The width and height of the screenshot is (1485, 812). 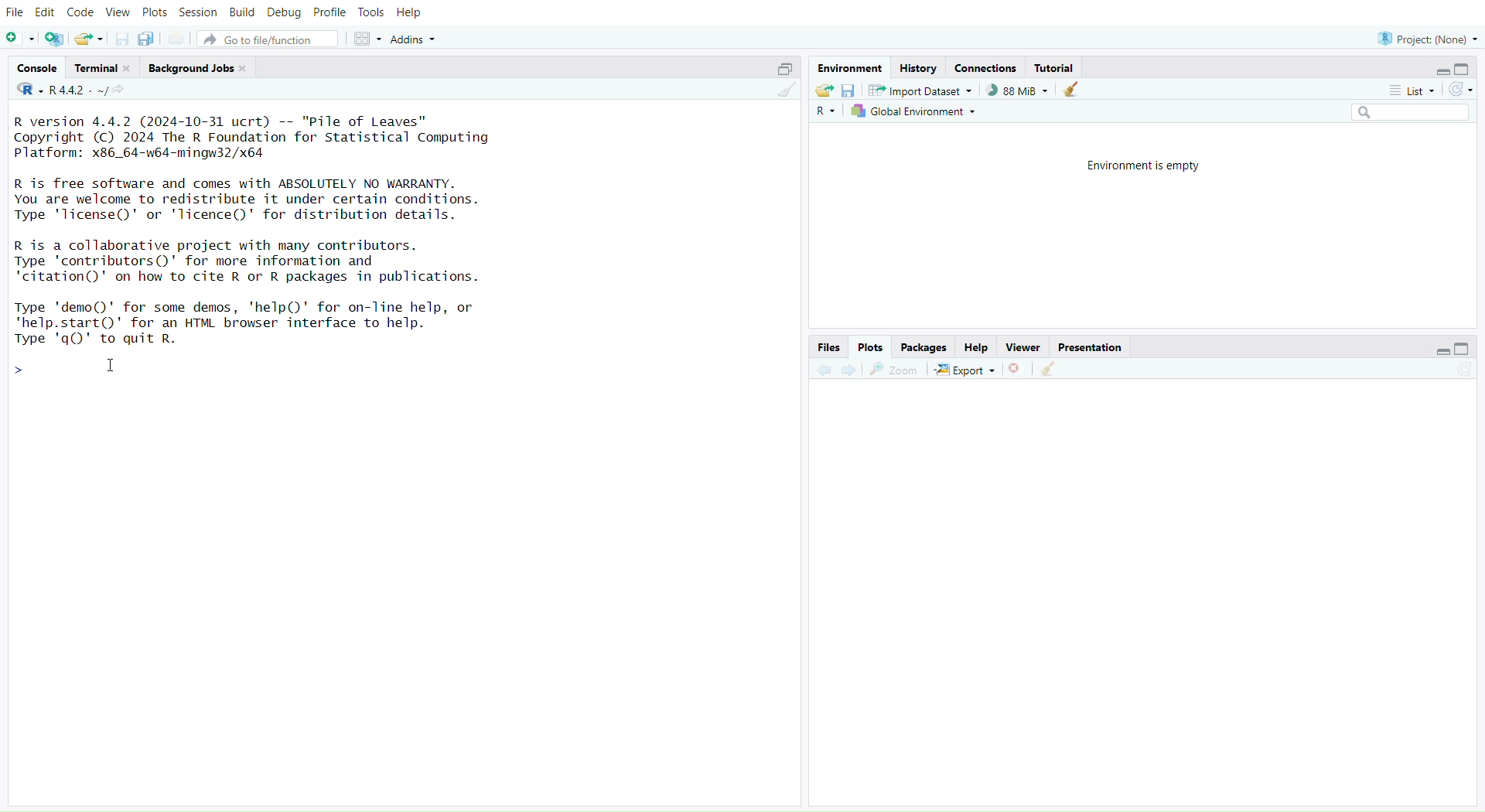 I want to click on build, so click(x=242, y=14).